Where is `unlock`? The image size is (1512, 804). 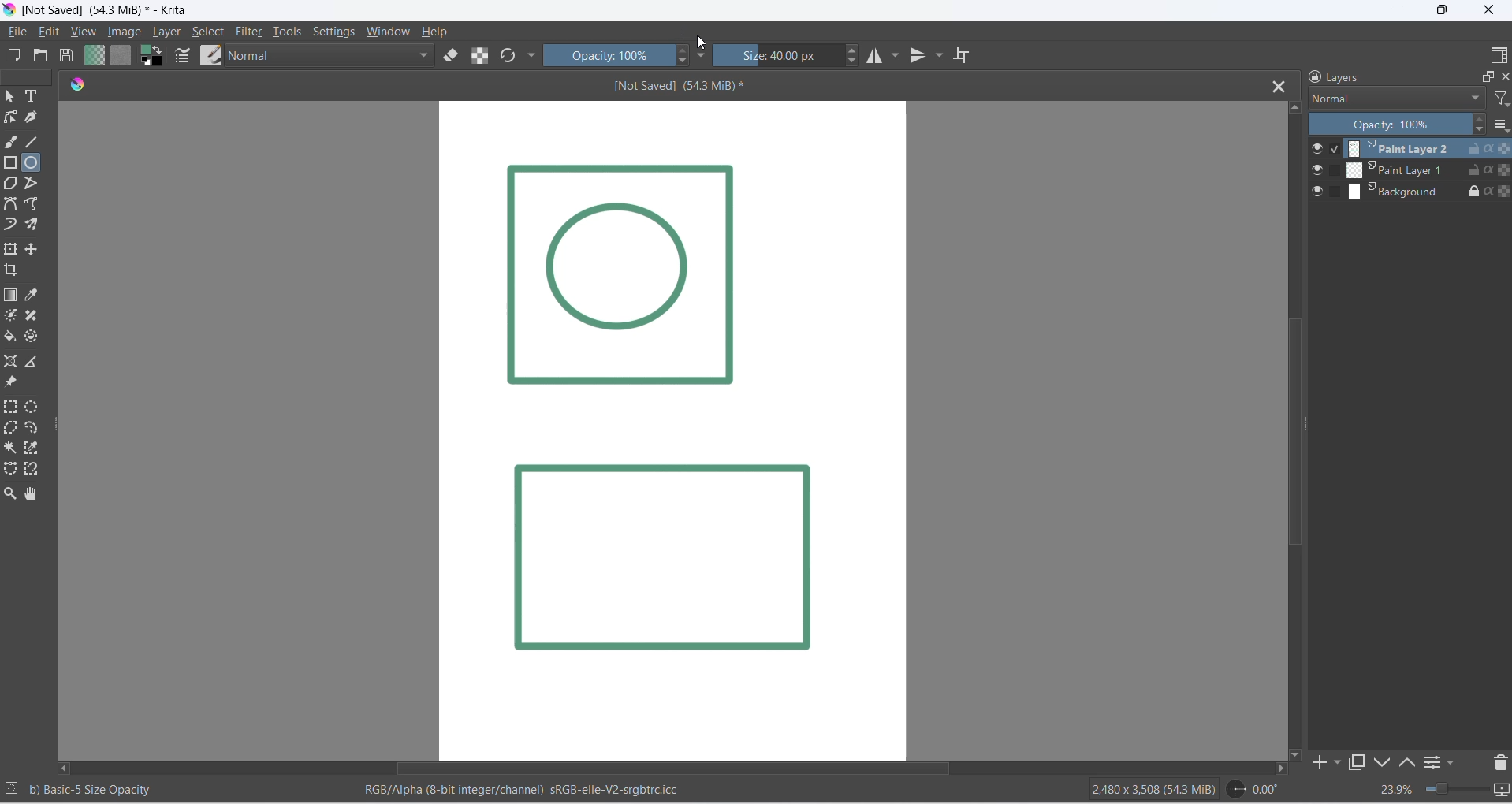
unlock is located at coordinates (1470, 171).